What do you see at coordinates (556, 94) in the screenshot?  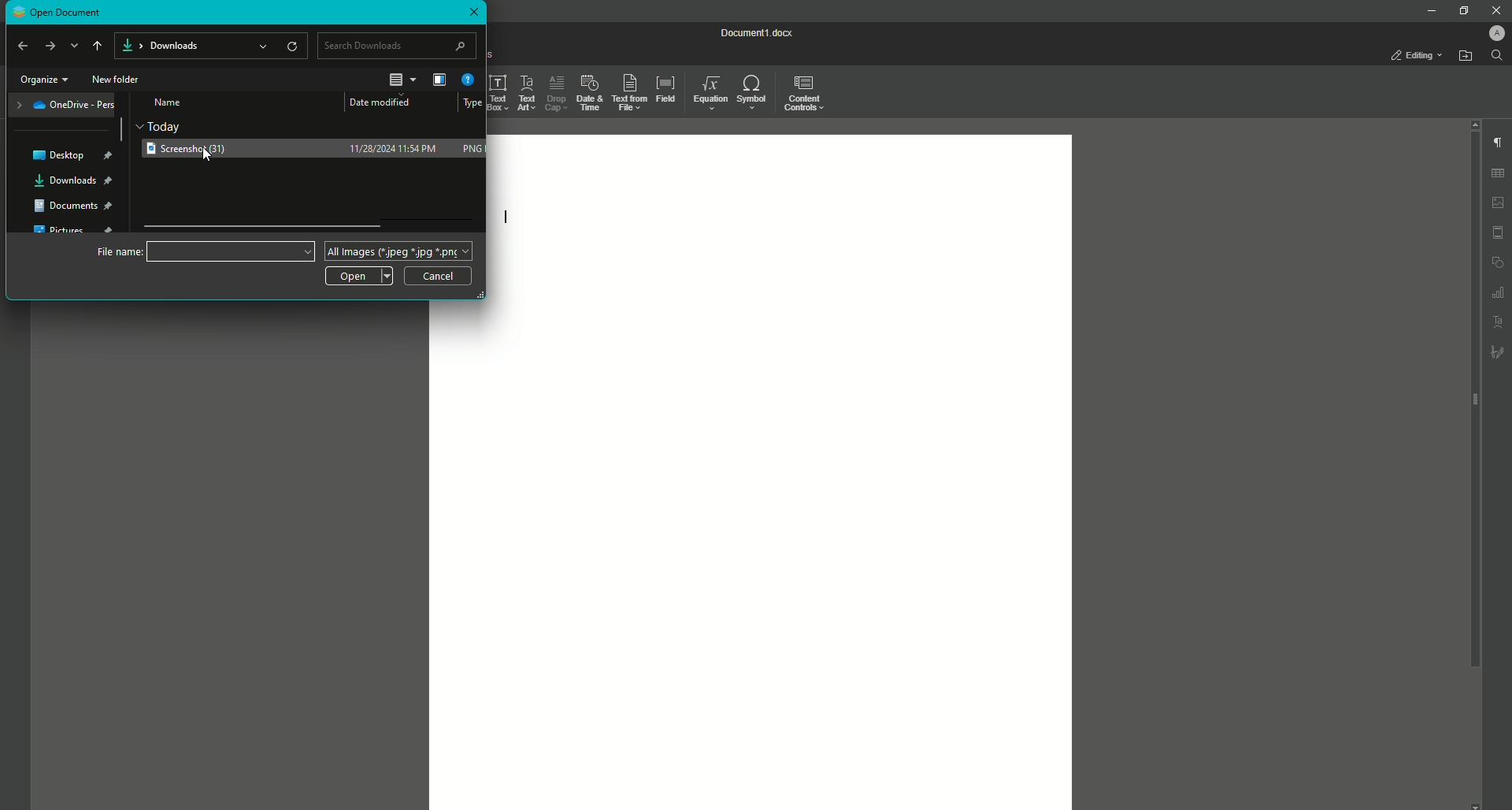 I see `Drop Cap` at bounding box center [556, 94].